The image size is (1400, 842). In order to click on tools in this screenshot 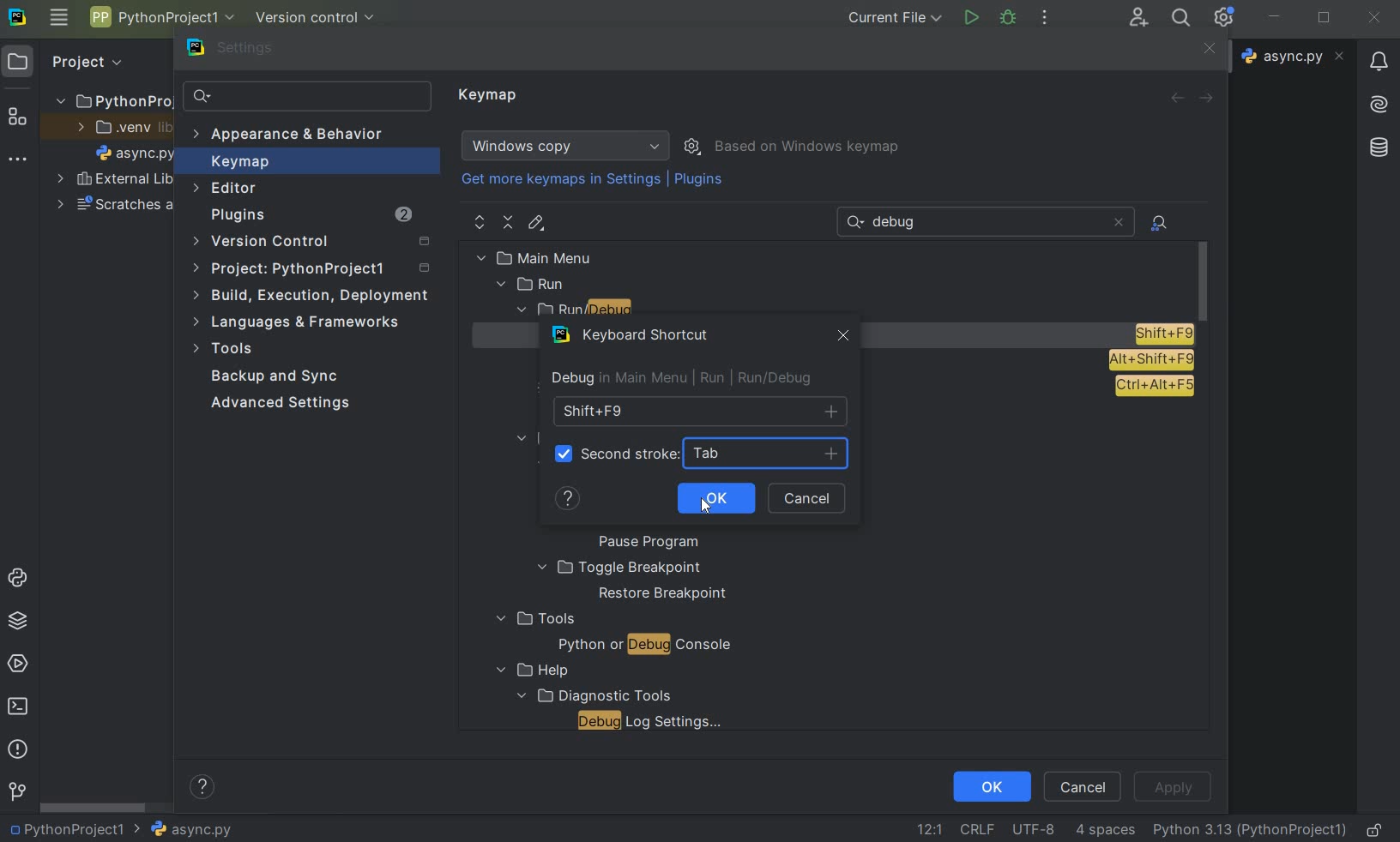, I will do `click(226, 351)`.